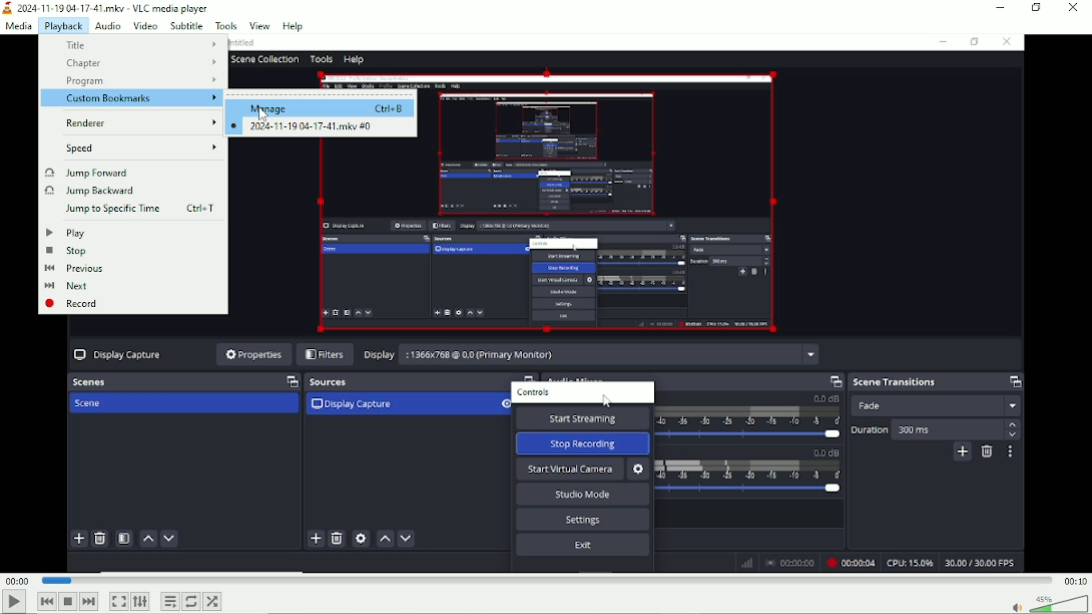 This screenshot has width=1092, height=614. I want to click on Custom bookmarks, so click(140, 98).